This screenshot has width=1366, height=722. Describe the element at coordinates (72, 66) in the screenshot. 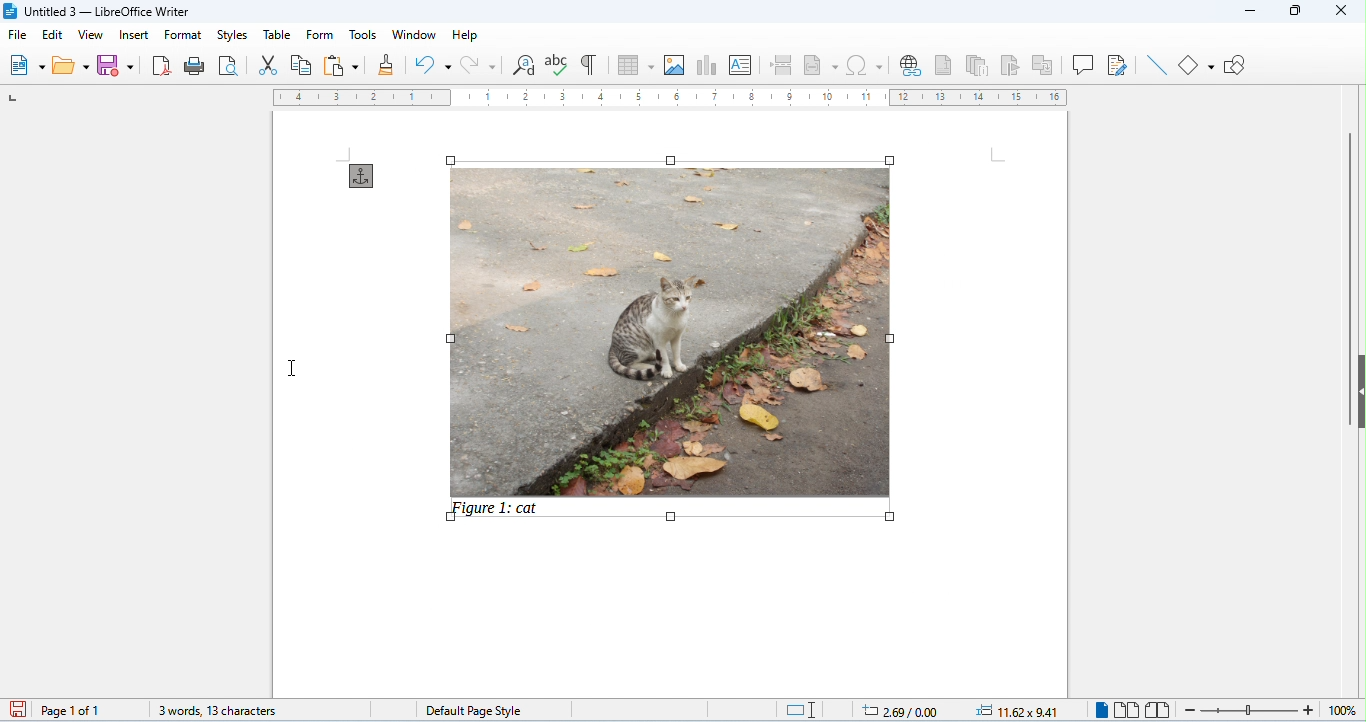

I see `open` at that location.